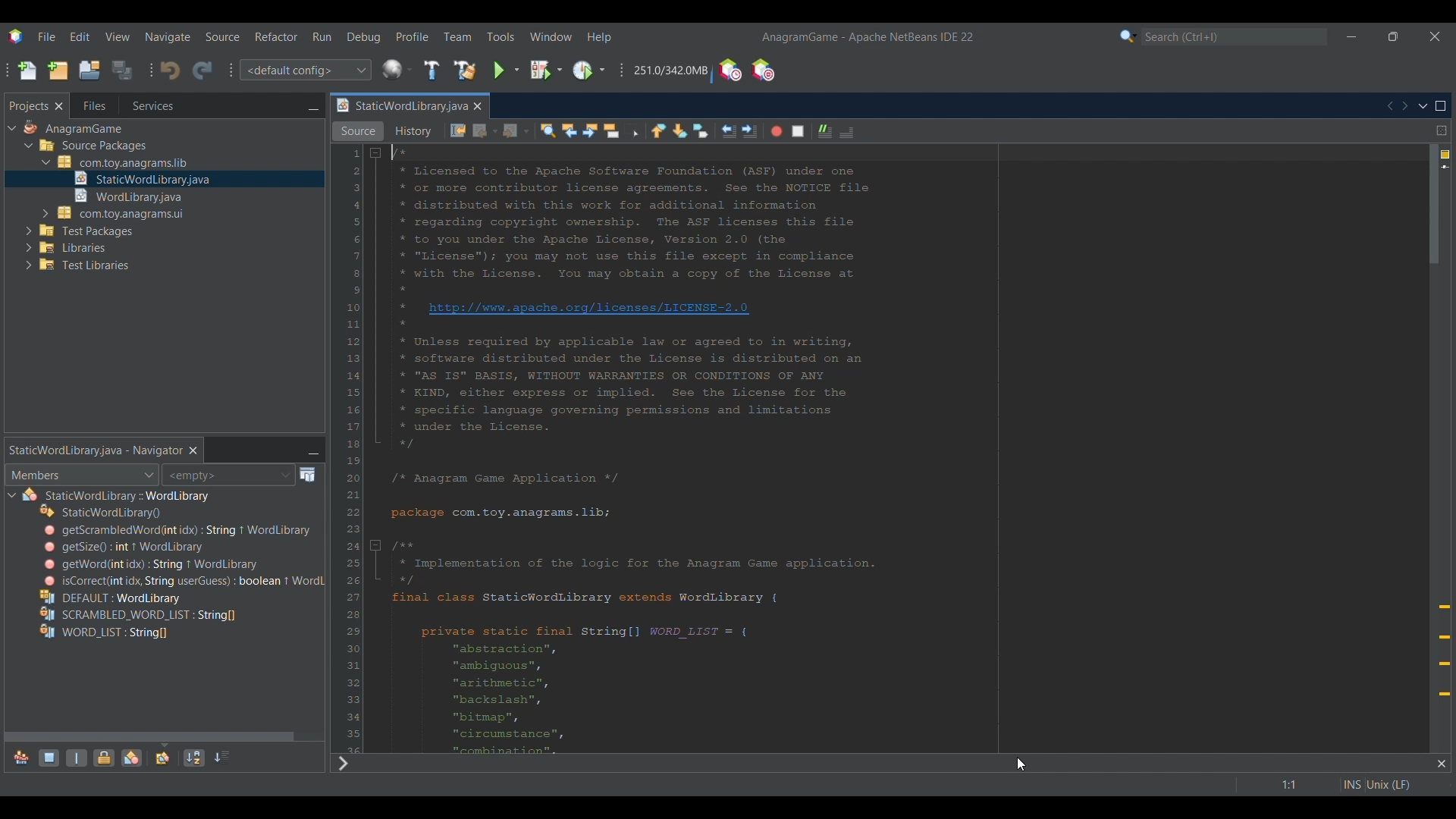 This screenshot has height=819, width=1456. Describe the element at coordinates (551, 36) in the screenshot. I see `Window menu highlighted` at that location.